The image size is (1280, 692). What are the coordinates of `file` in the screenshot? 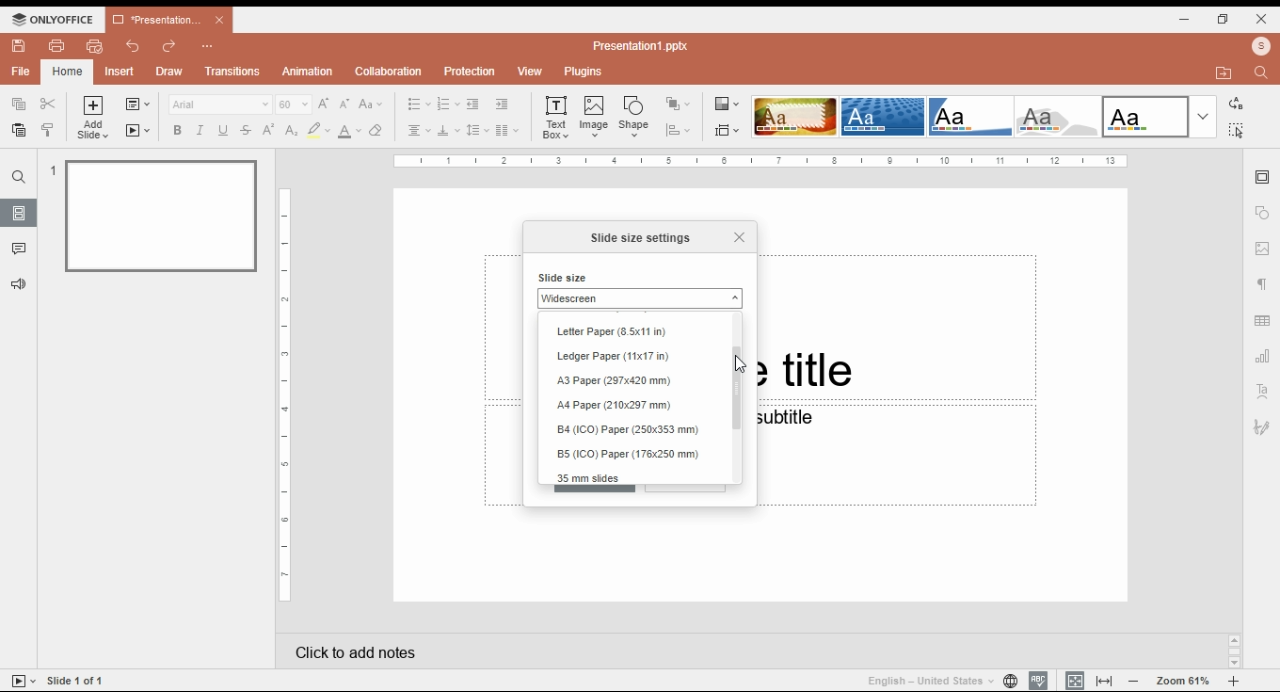 It's located at (21, 71).